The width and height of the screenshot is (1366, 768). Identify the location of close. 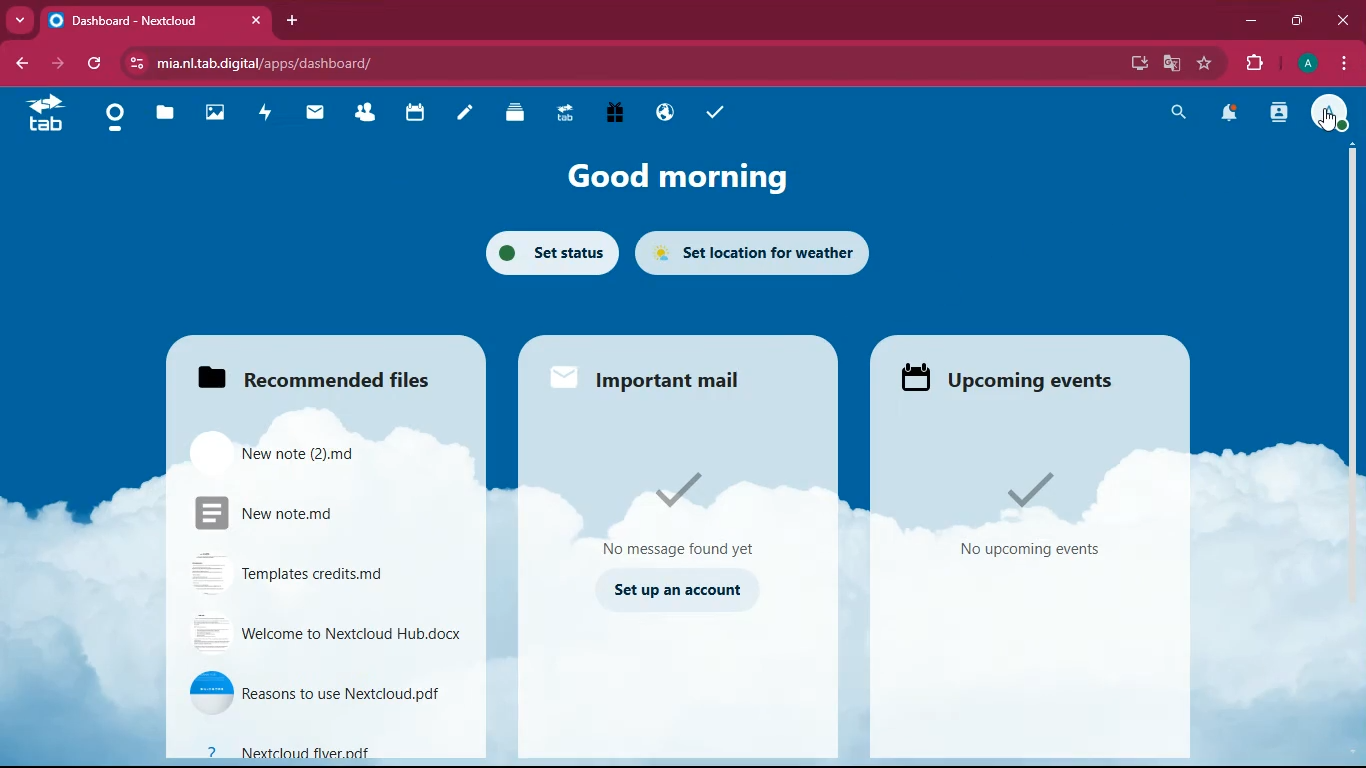
(1344, 18).